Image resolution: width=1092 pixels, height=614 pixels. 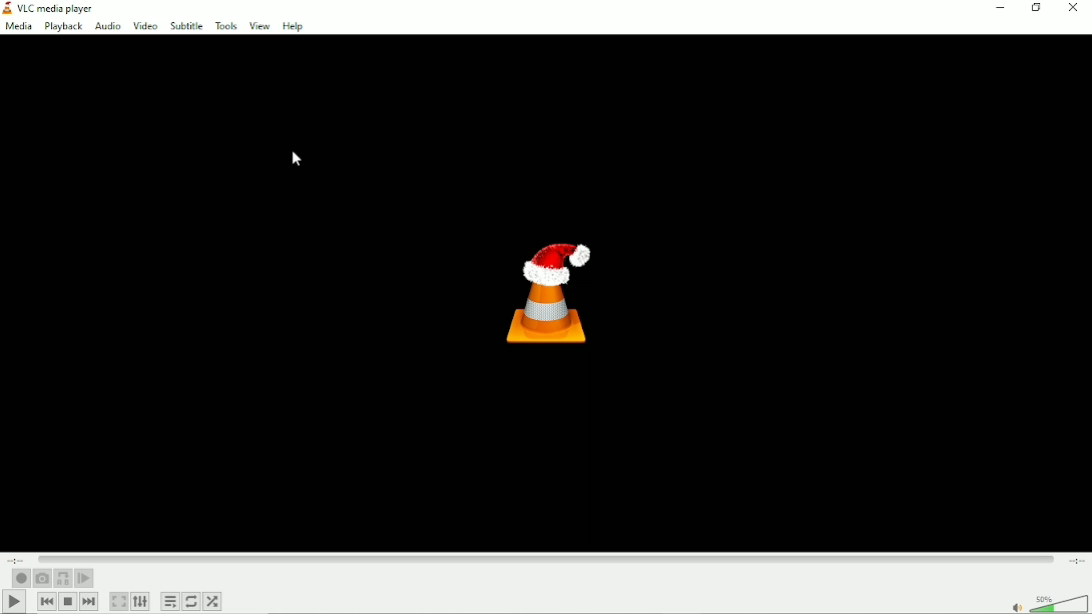 What do you see at coordinates (119, 601) in the screenshot?
I see `Toggle video in fullscreen` at bounding box center [119, 601].